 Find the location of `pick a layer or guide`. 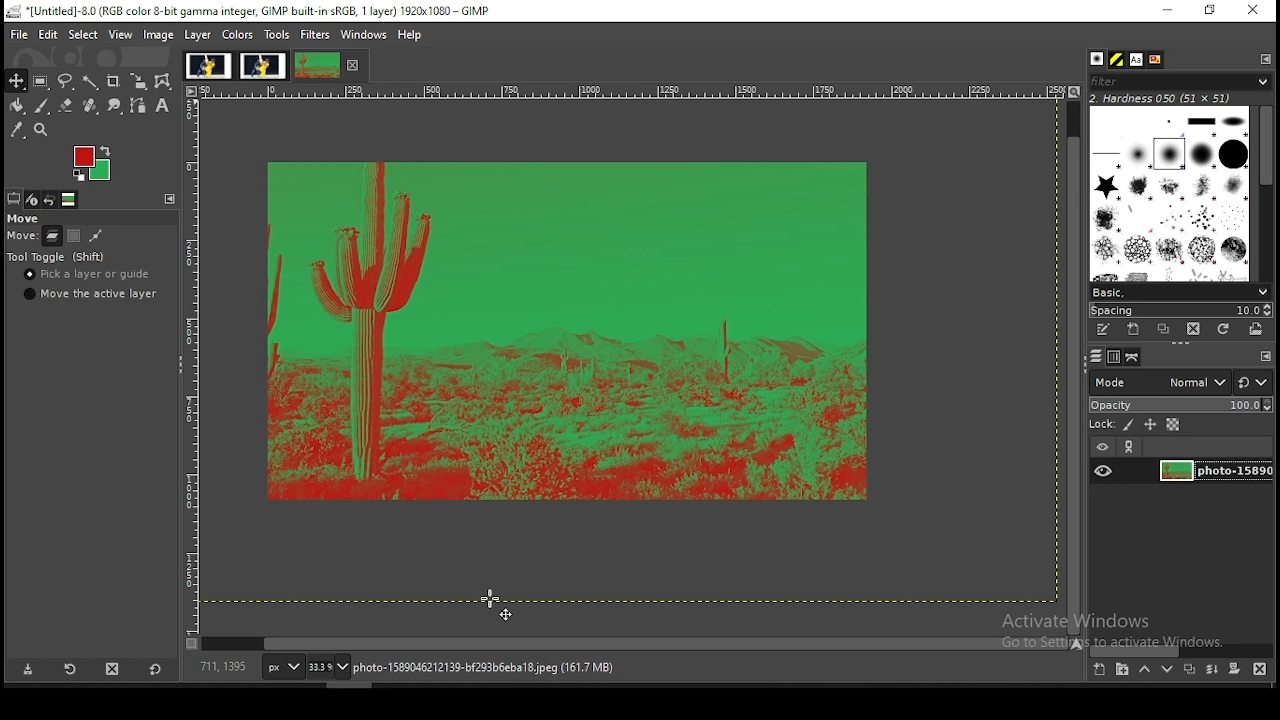

pick a layer or guide is located at coordinates (87, 274).